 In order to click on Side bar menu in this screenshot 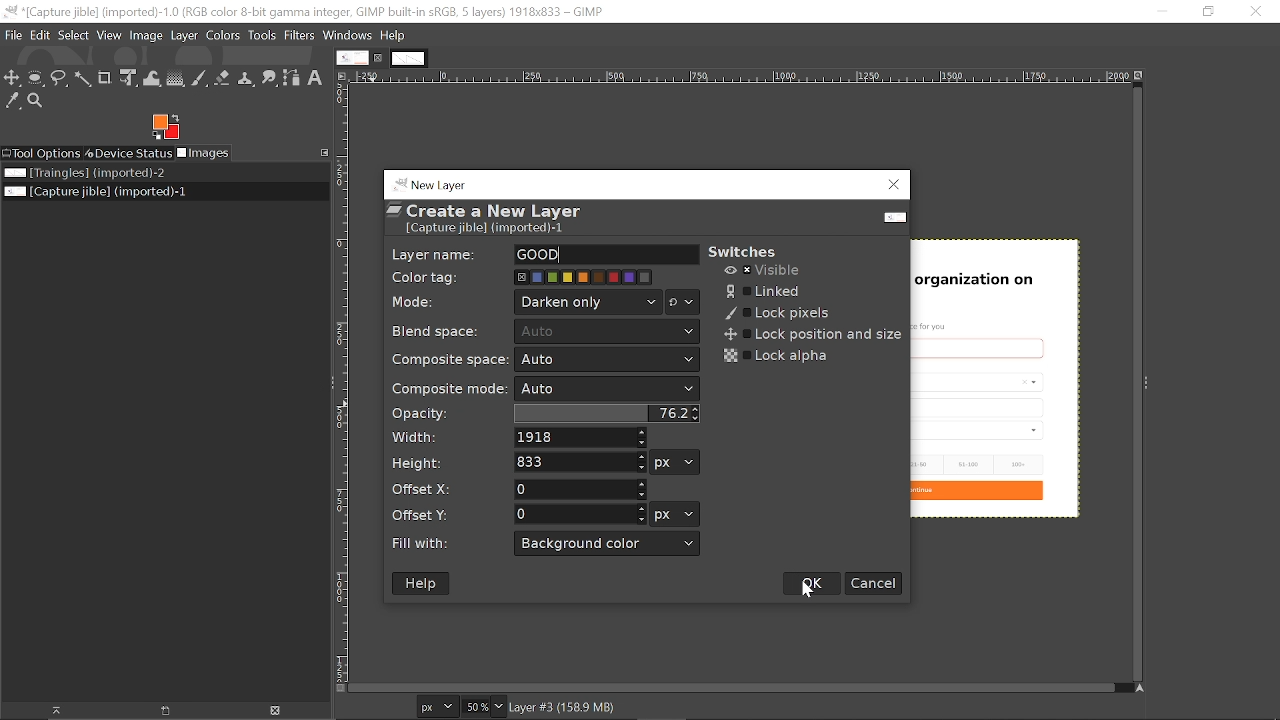, I will do `click(1148, 383)`.